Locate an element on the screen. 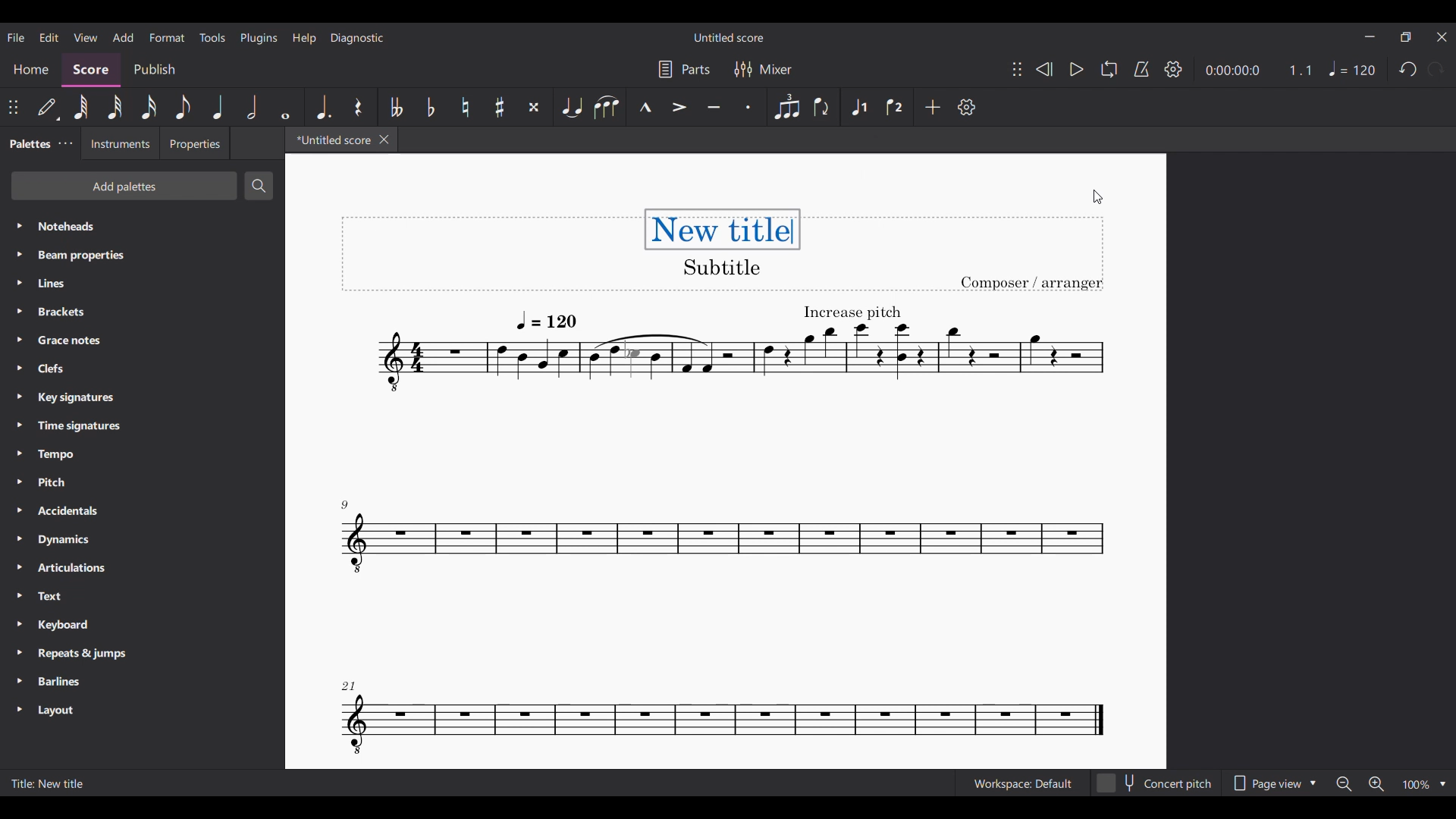 Image resolution: width=1456 pixels, height=819 pixels. Dynamics is located at coordinates (143, 539).